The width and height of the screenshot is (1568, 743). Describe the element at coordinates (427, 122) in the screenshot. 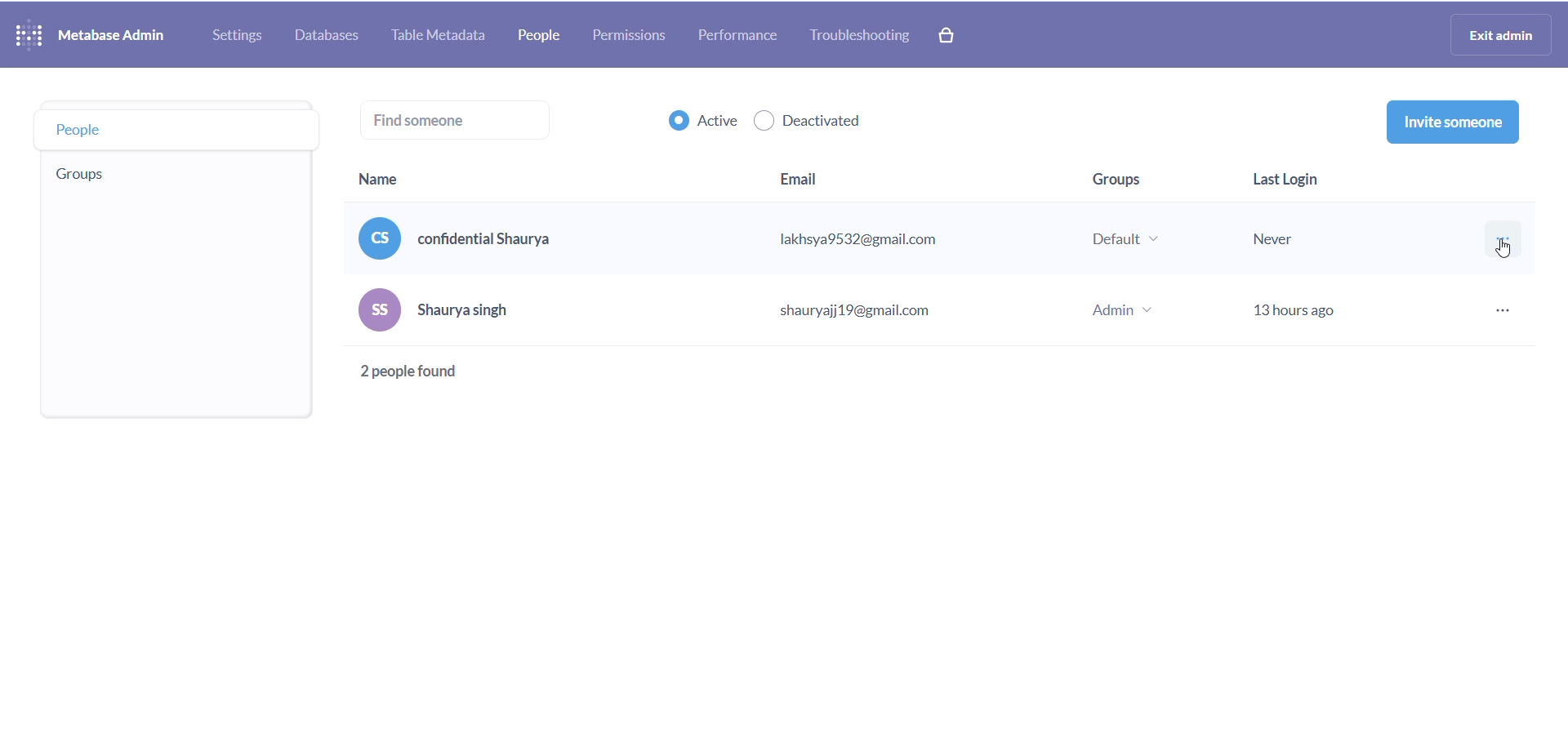

I see `find someone` at that location.